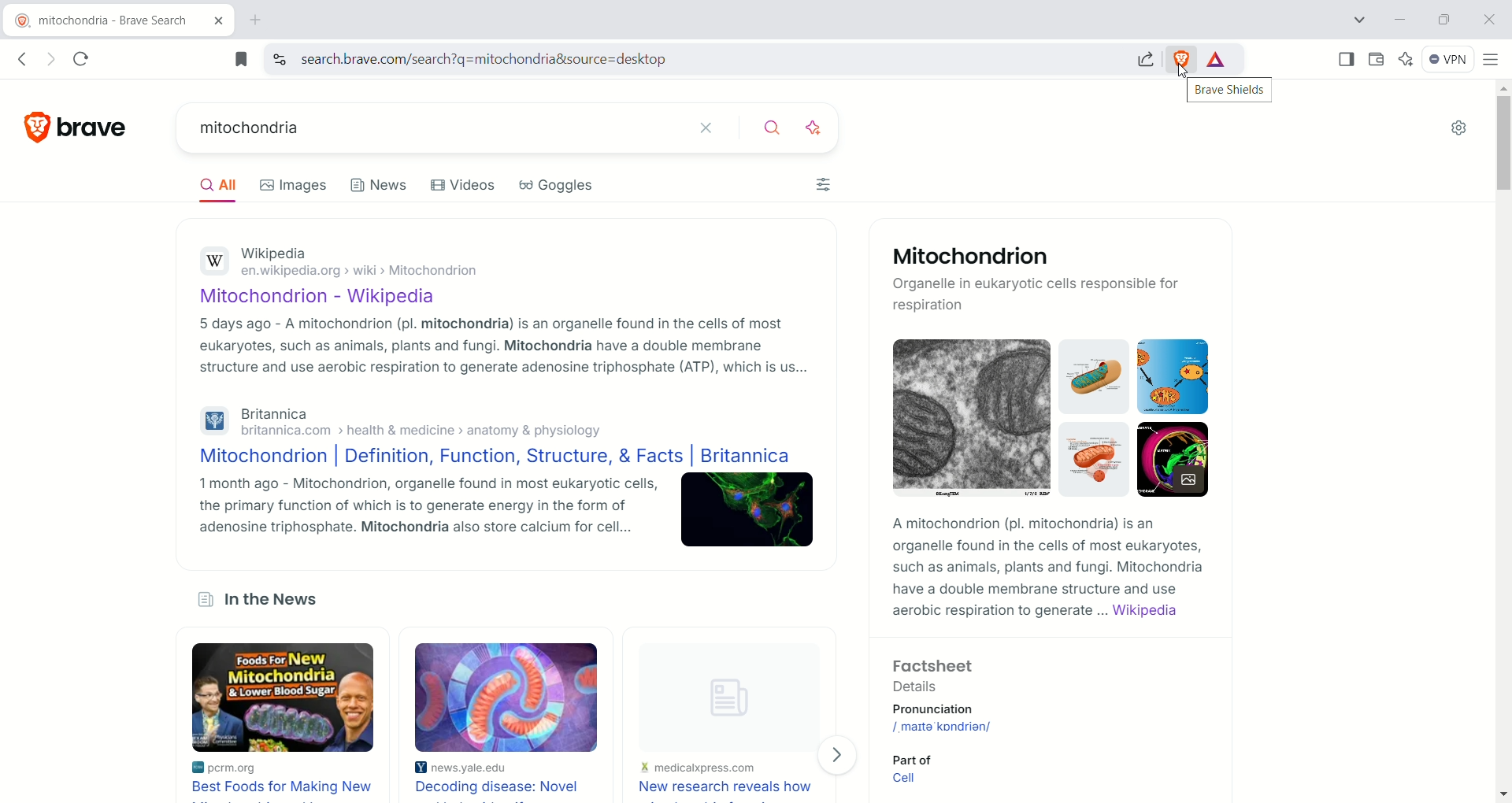  I want to click on News, so click(381, 185).